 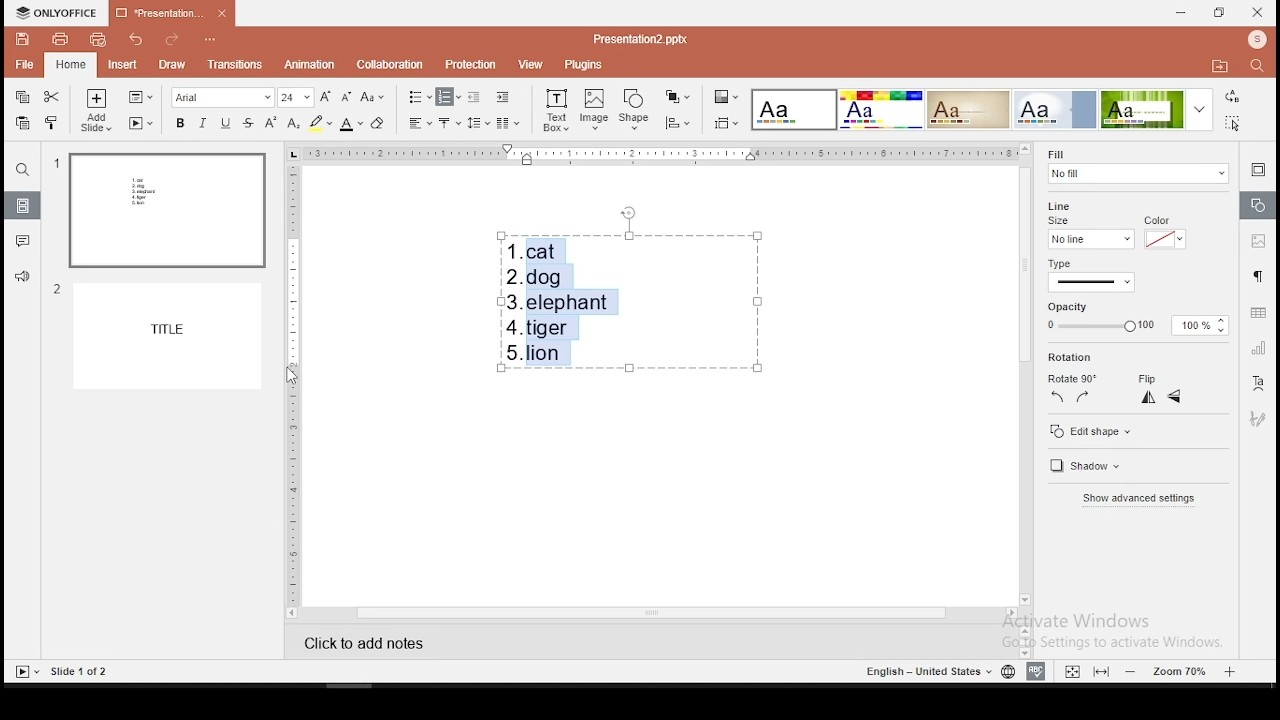 I want to click on transitions, so click(x=236, y=67).